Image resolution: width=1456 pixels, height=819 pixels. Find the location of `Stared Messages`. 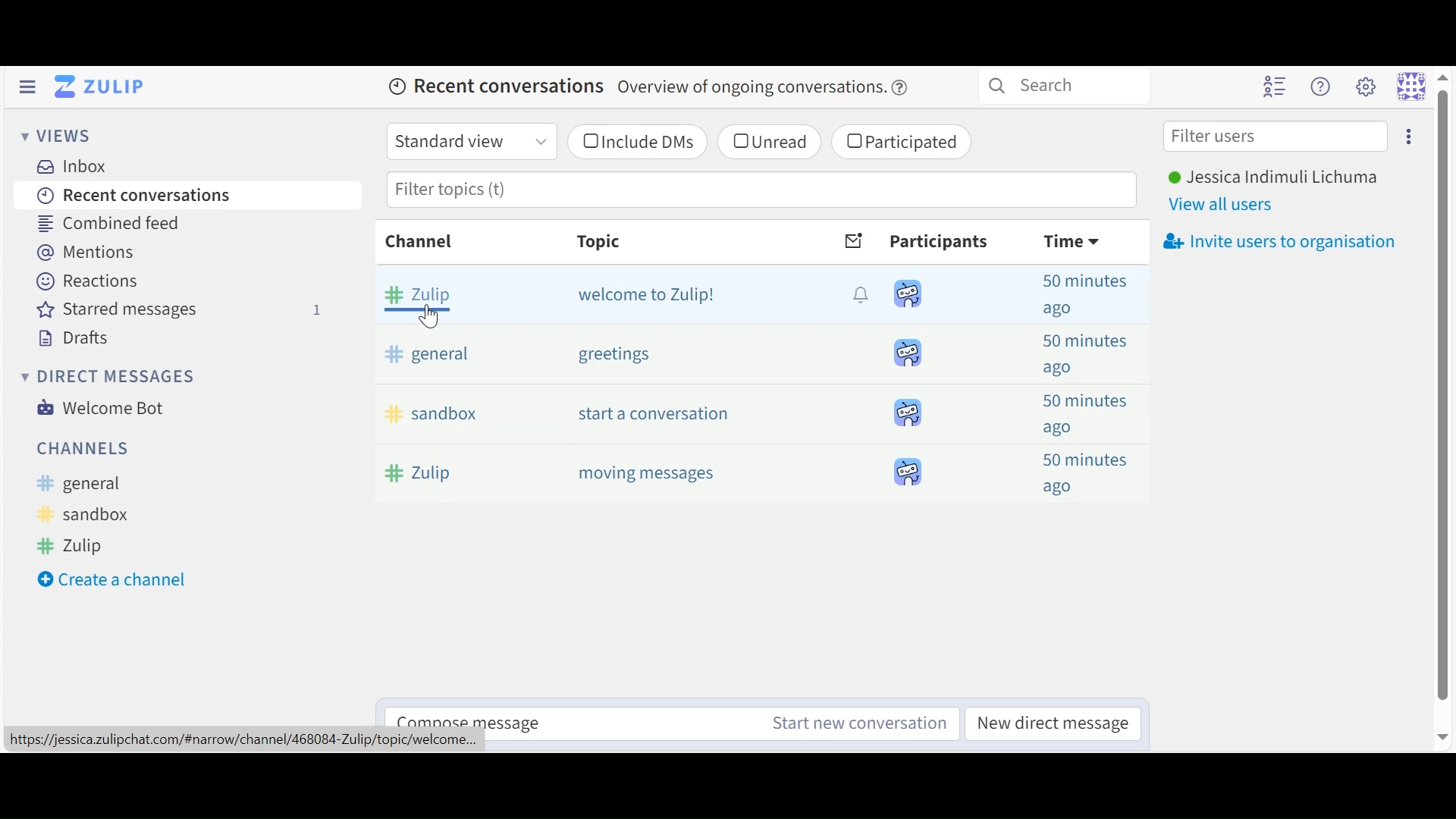

Stared Messages is located at coordinates (177, 309).